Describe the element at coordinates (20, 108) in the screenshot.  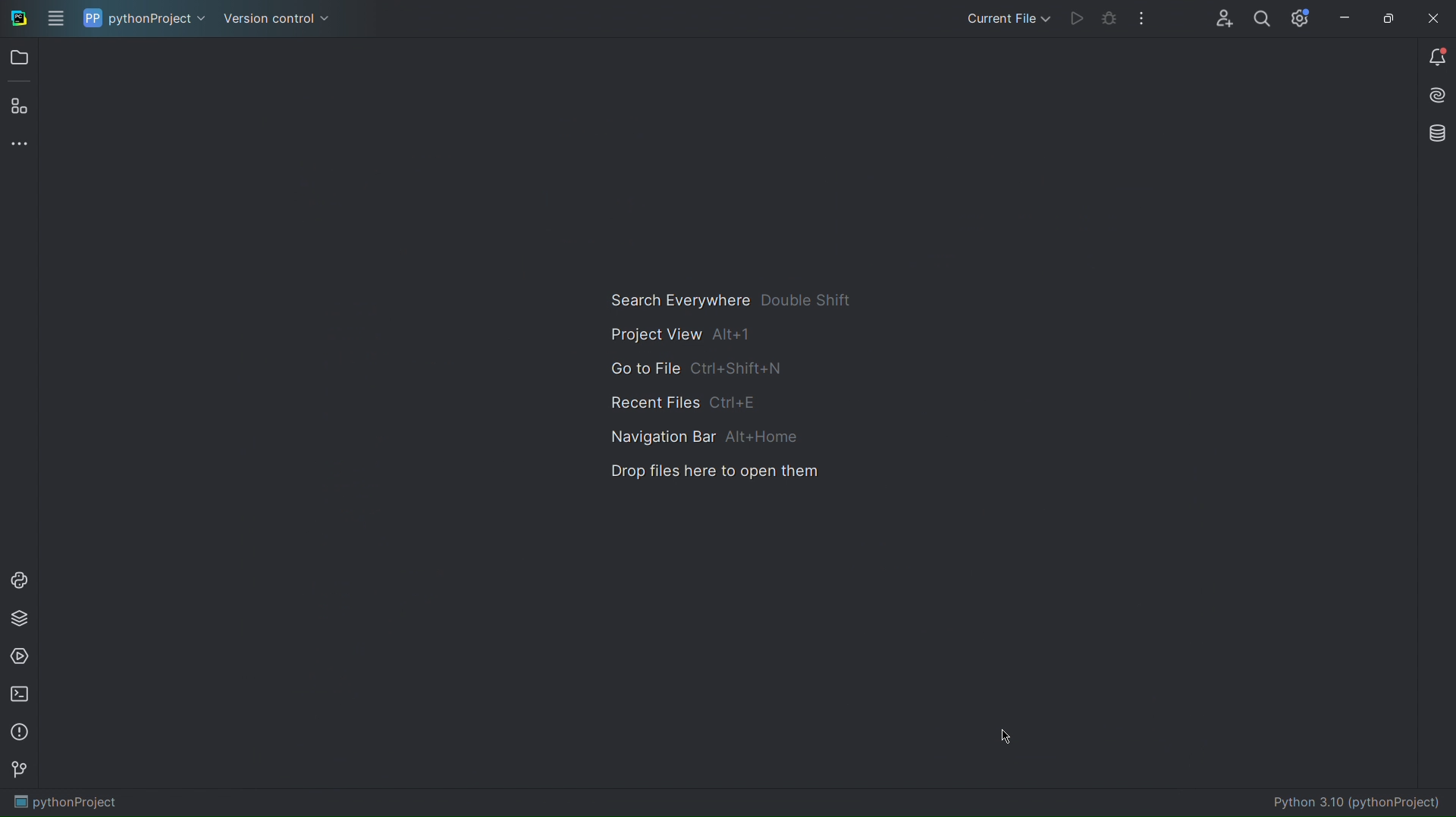
I see `Plugins` at that location.